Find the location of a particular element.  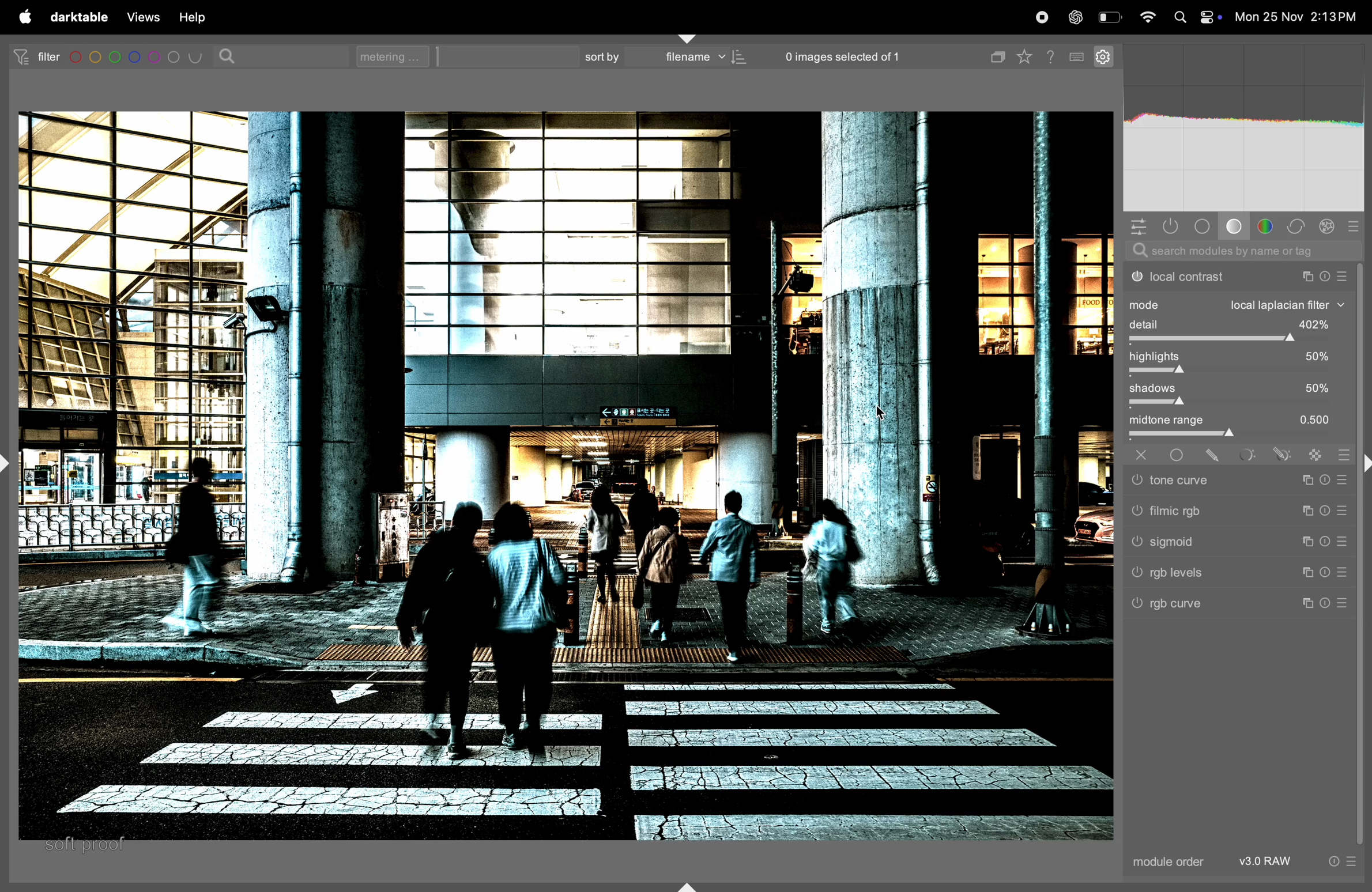

detail is located at coordinates (1239, 325).